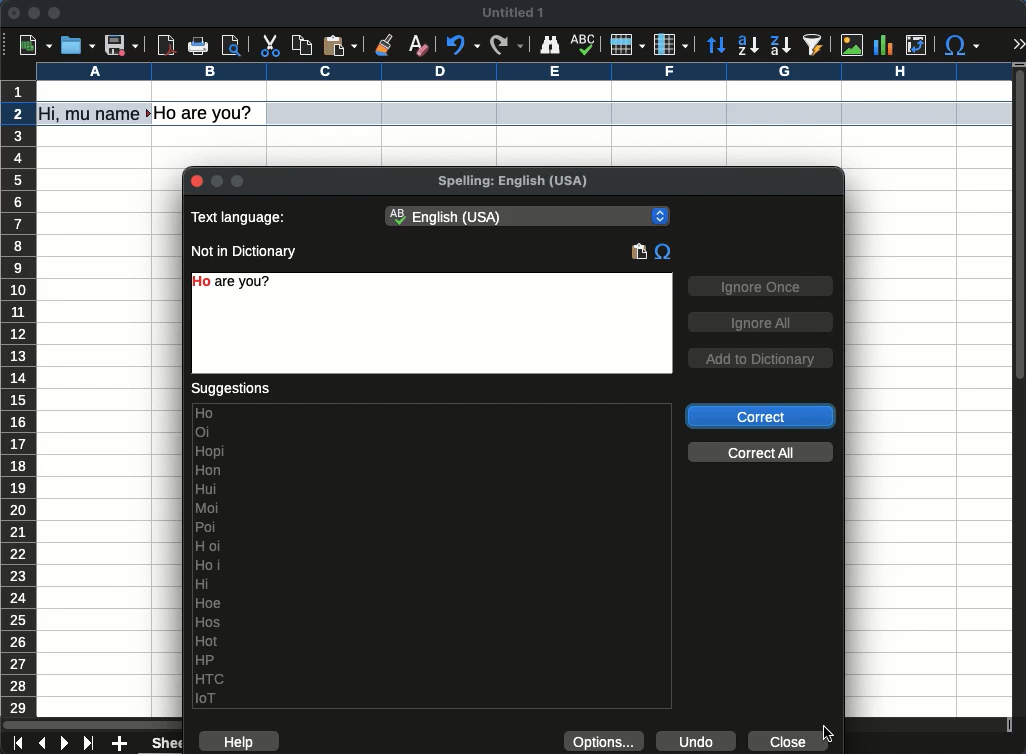 The width and height of the screenshot is (1026, 754). Describe the element at coordinates (794, 741) in the screenshot. I see `close` at that location.